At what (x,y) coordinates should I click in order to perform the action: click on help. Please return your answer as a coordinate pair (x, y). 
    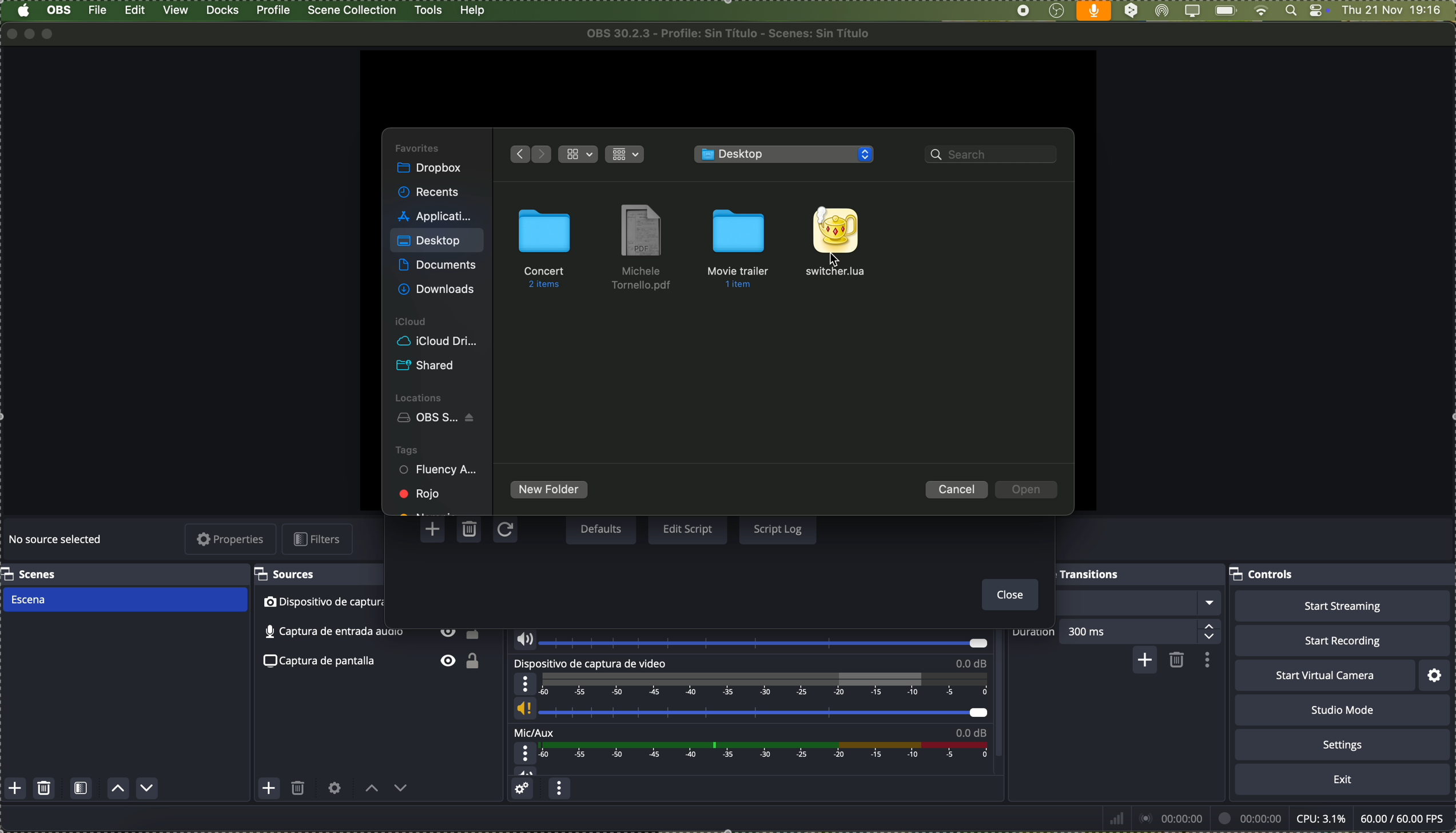
    Looking at the image, I should click on (473, 11).